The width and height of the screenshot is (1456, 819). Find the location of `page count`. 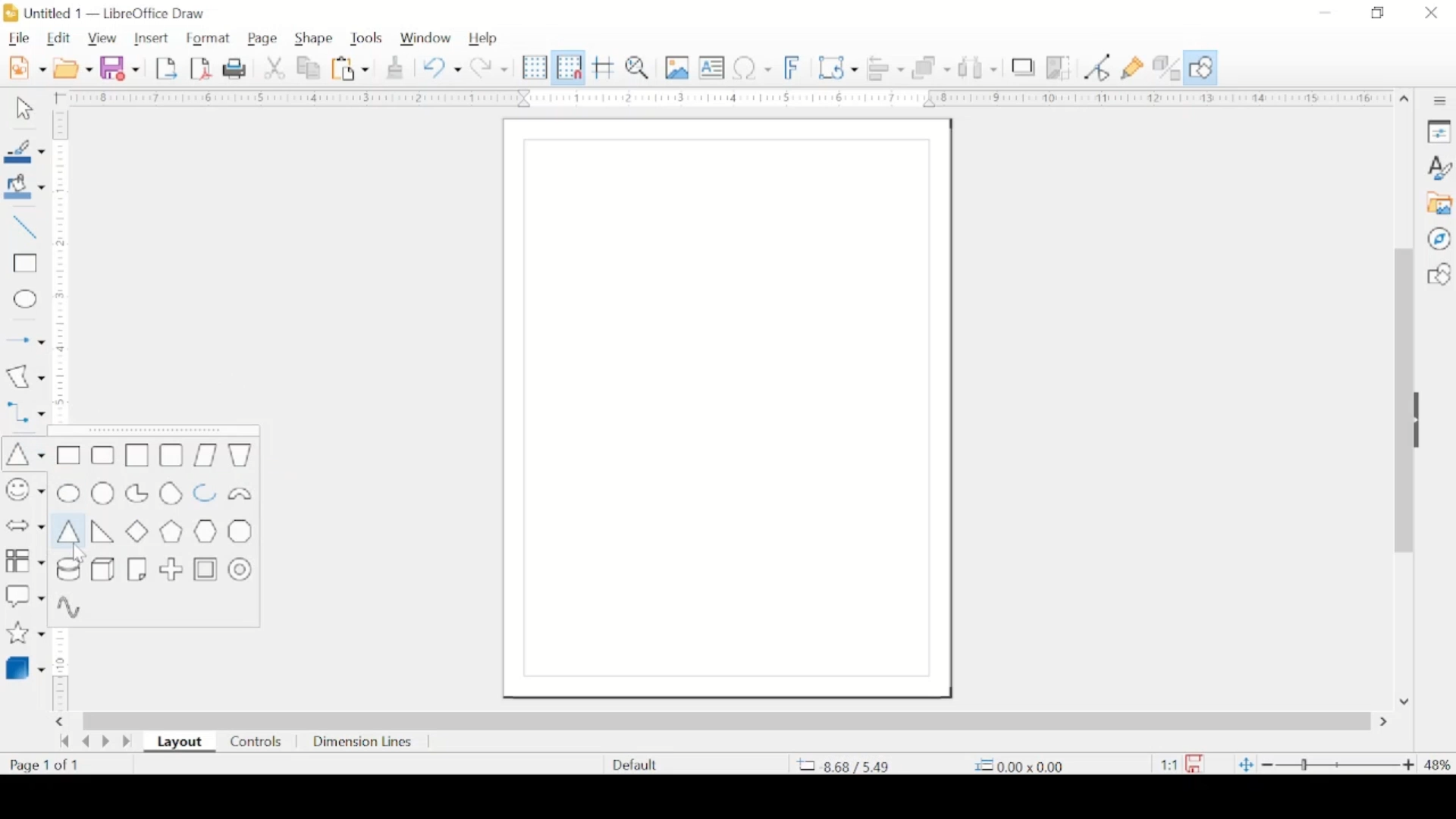

page count is located at coordinates (43, 765).